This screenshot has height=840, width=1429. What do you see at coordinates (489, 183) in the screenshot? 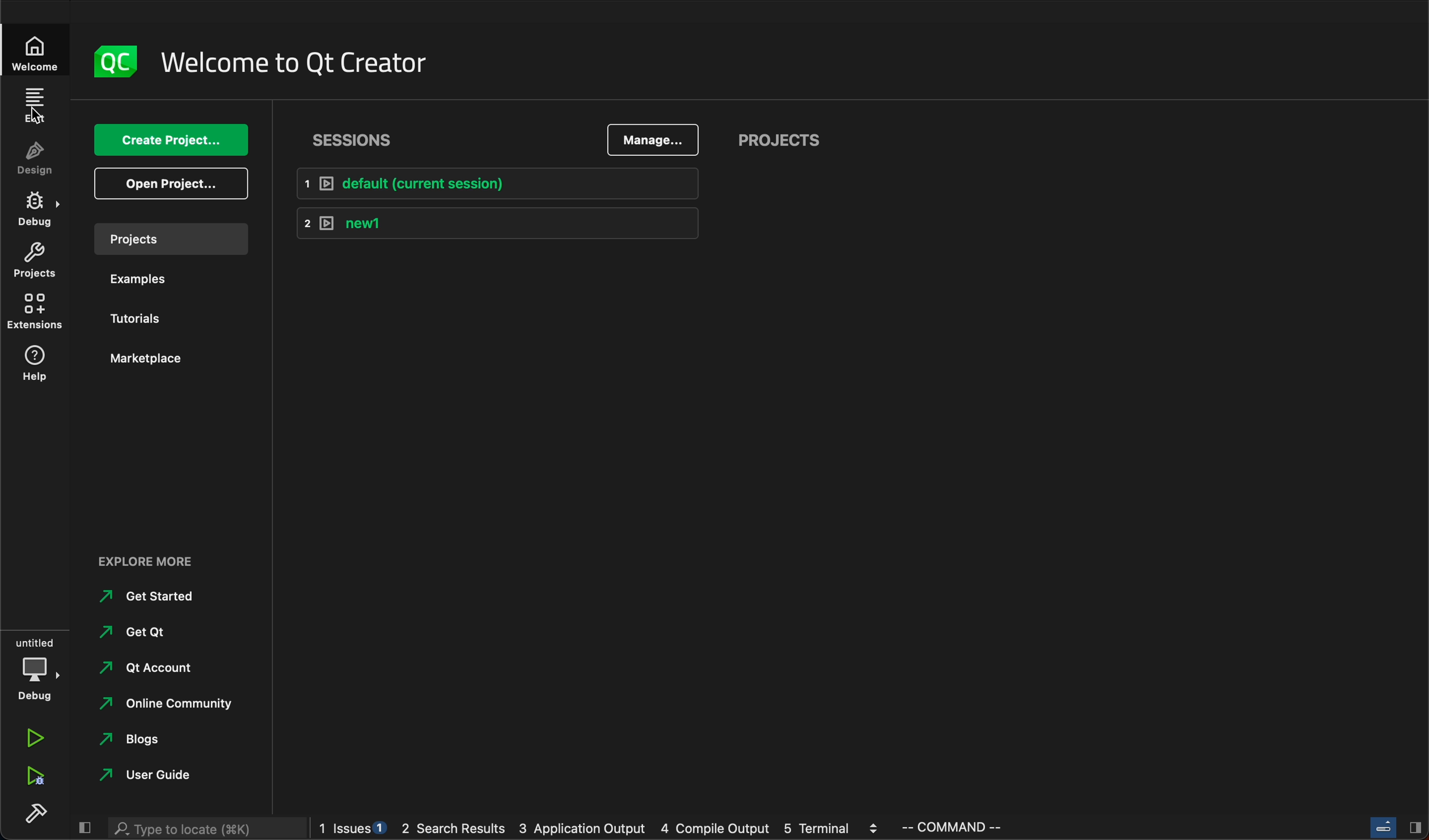
I see `default` at bounding box center [489, 183].